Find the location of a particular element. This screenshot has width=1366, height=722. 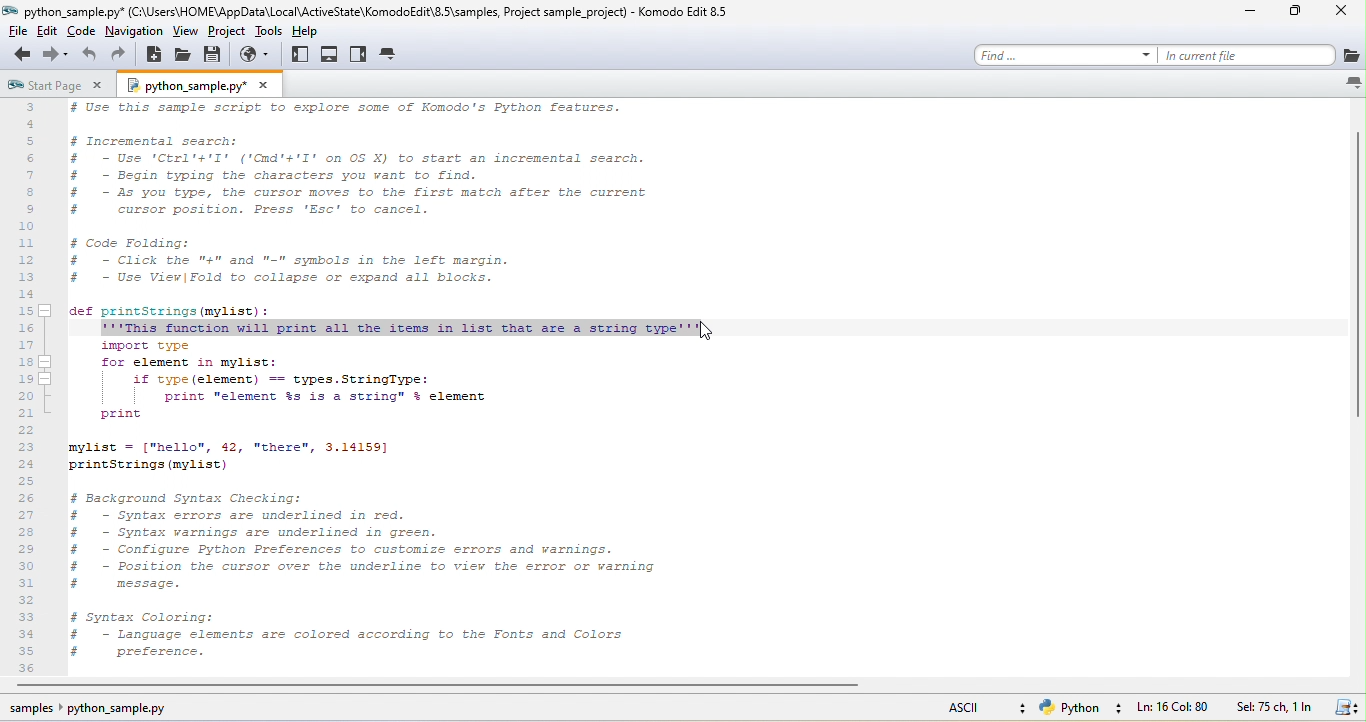

help is located at coordinates (313, 33).